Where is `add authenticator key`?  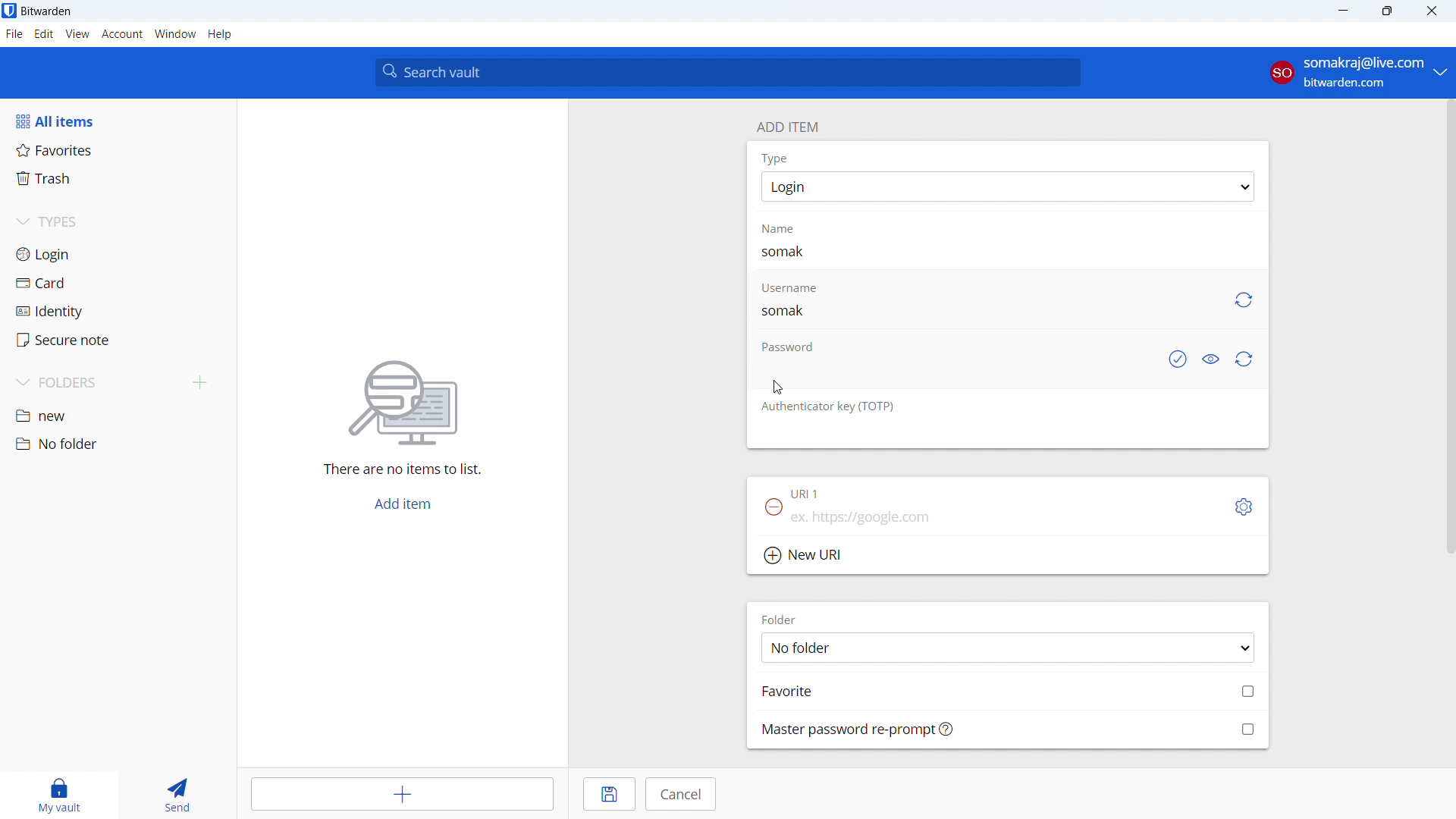
add authenticator key is located at coordinates (1007, 435).